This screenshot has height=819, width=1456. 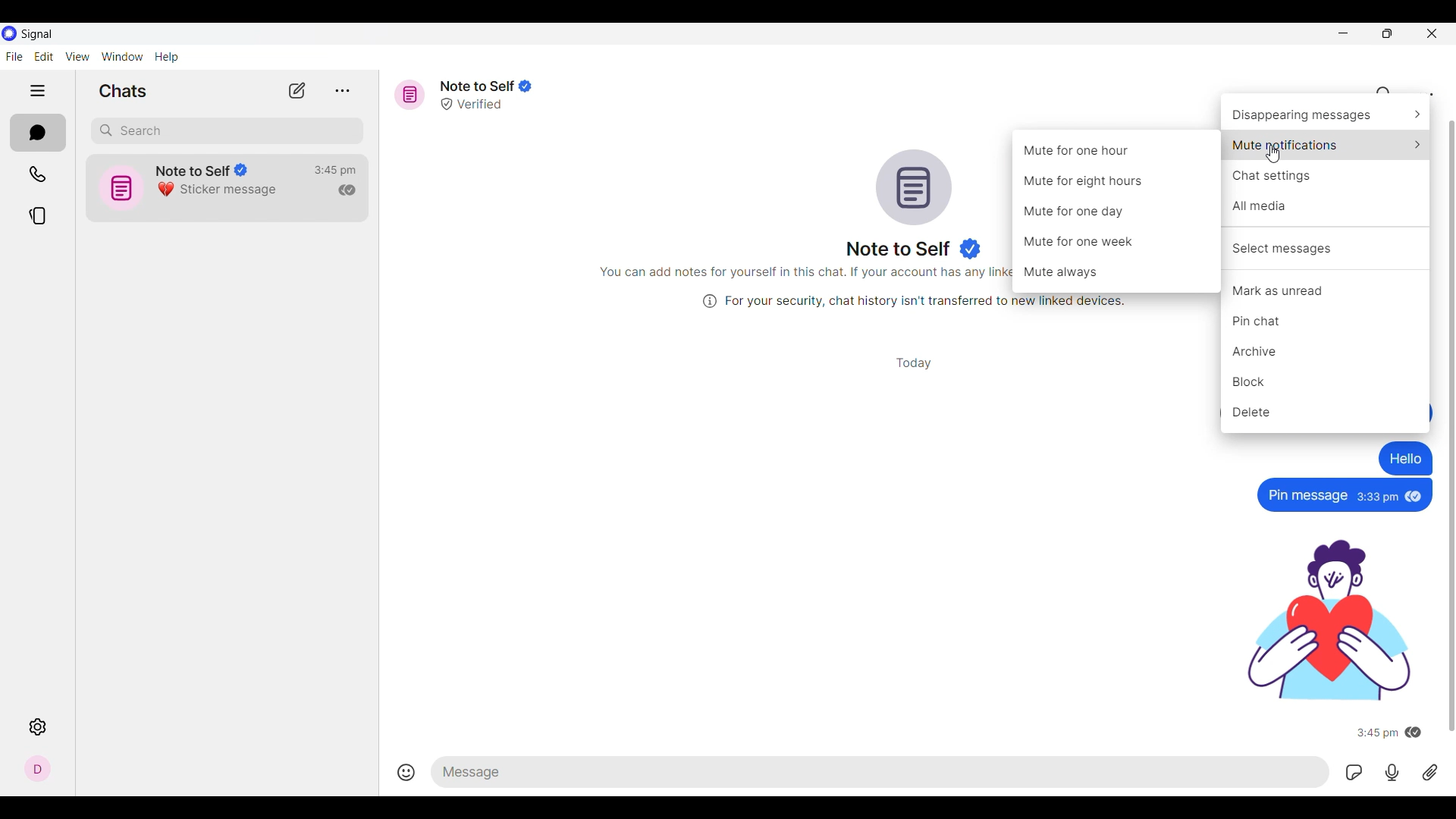 What do you see at coordinates (347, 190) in the screenshot?
I see `Indicates message has been read` at bounding box center [347, 190].